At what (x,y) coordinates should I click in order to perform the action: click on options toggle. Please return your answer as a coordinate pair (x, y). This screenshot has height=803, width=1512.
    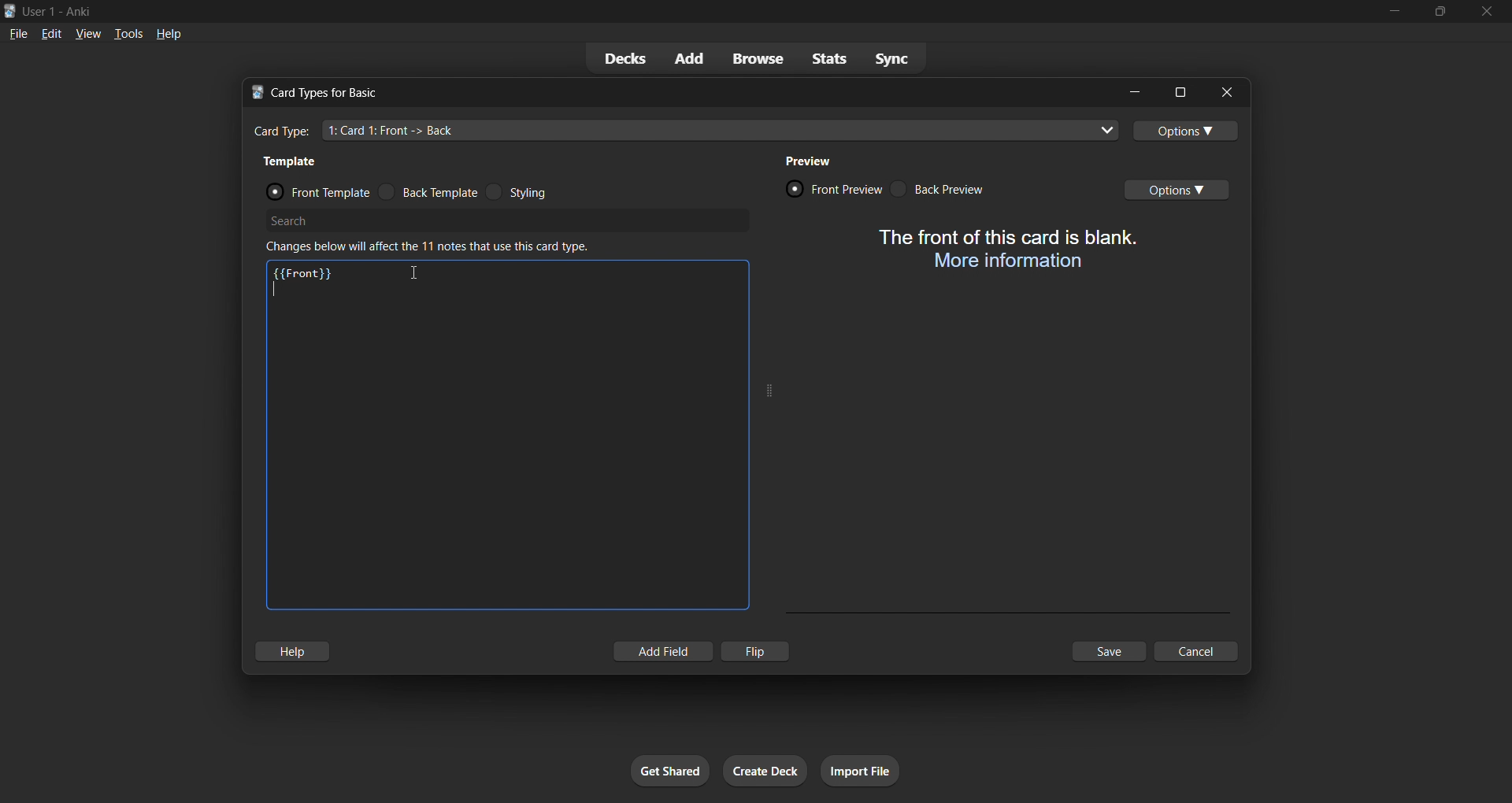
    Looking at the image, I should click on (1188, 132).